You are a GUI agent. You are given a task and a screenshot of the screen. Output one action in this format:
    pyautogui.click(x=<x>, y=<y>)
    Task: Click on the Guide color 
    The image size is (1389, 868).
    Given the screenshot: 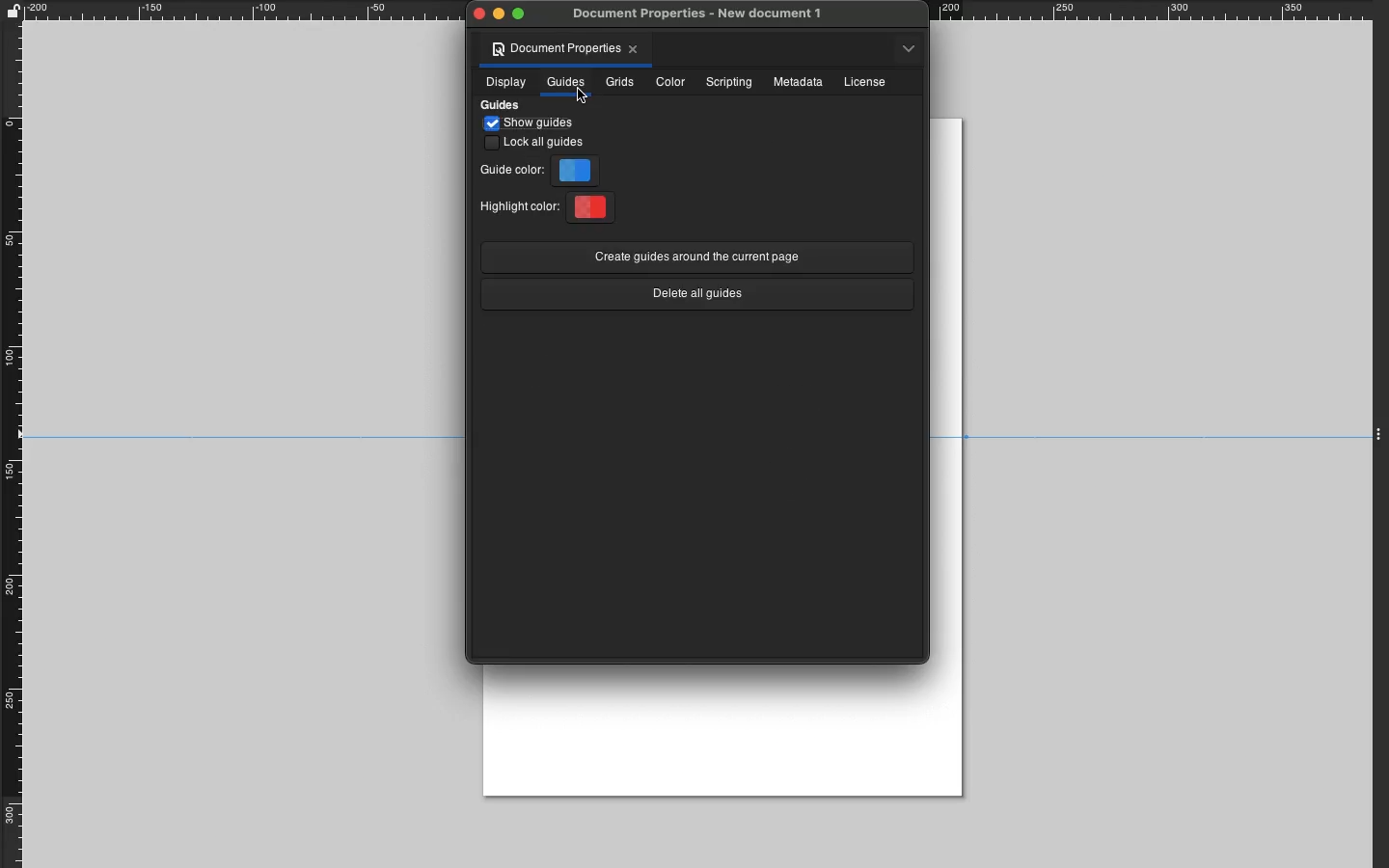 What is the action you would take?
    pyautogui.click(x=512, y=172)
    